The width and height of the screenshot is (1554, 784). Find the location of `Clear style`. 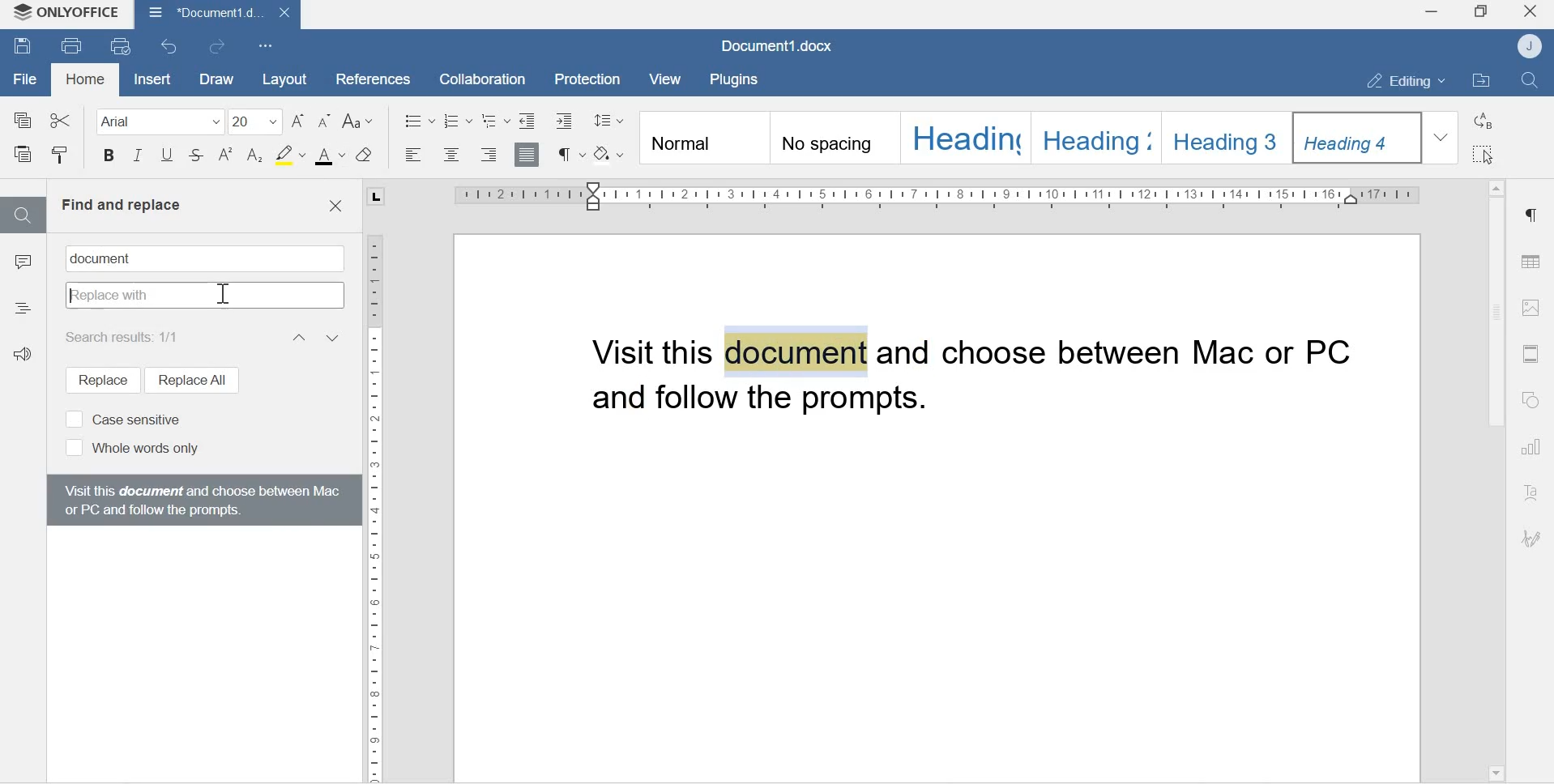

Clear style is located at coordinates (365, 155).